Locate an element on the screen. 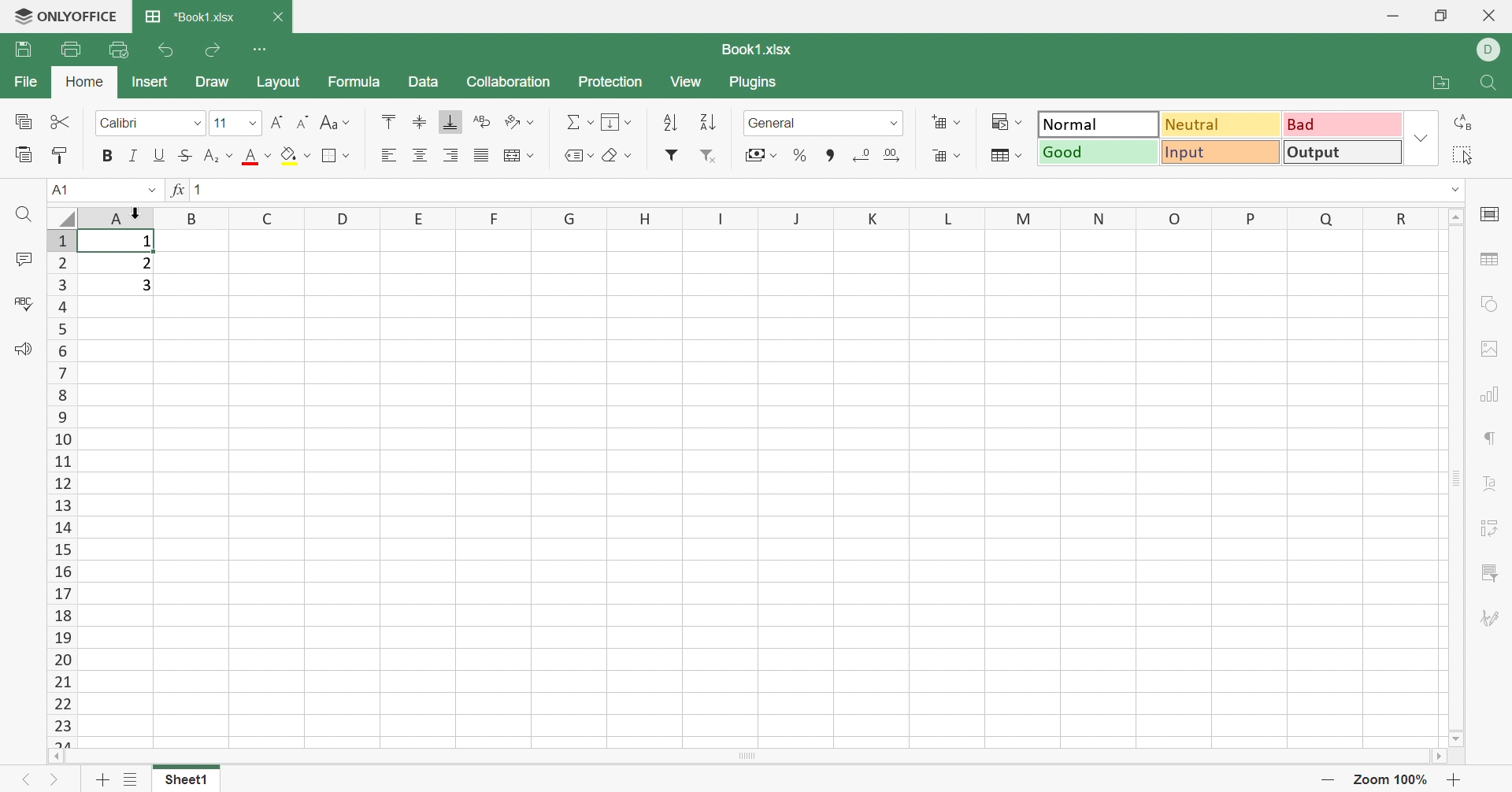 This screenshot has width=1512, height=792. Book1.xlsx is located at coordinates (758, 48).